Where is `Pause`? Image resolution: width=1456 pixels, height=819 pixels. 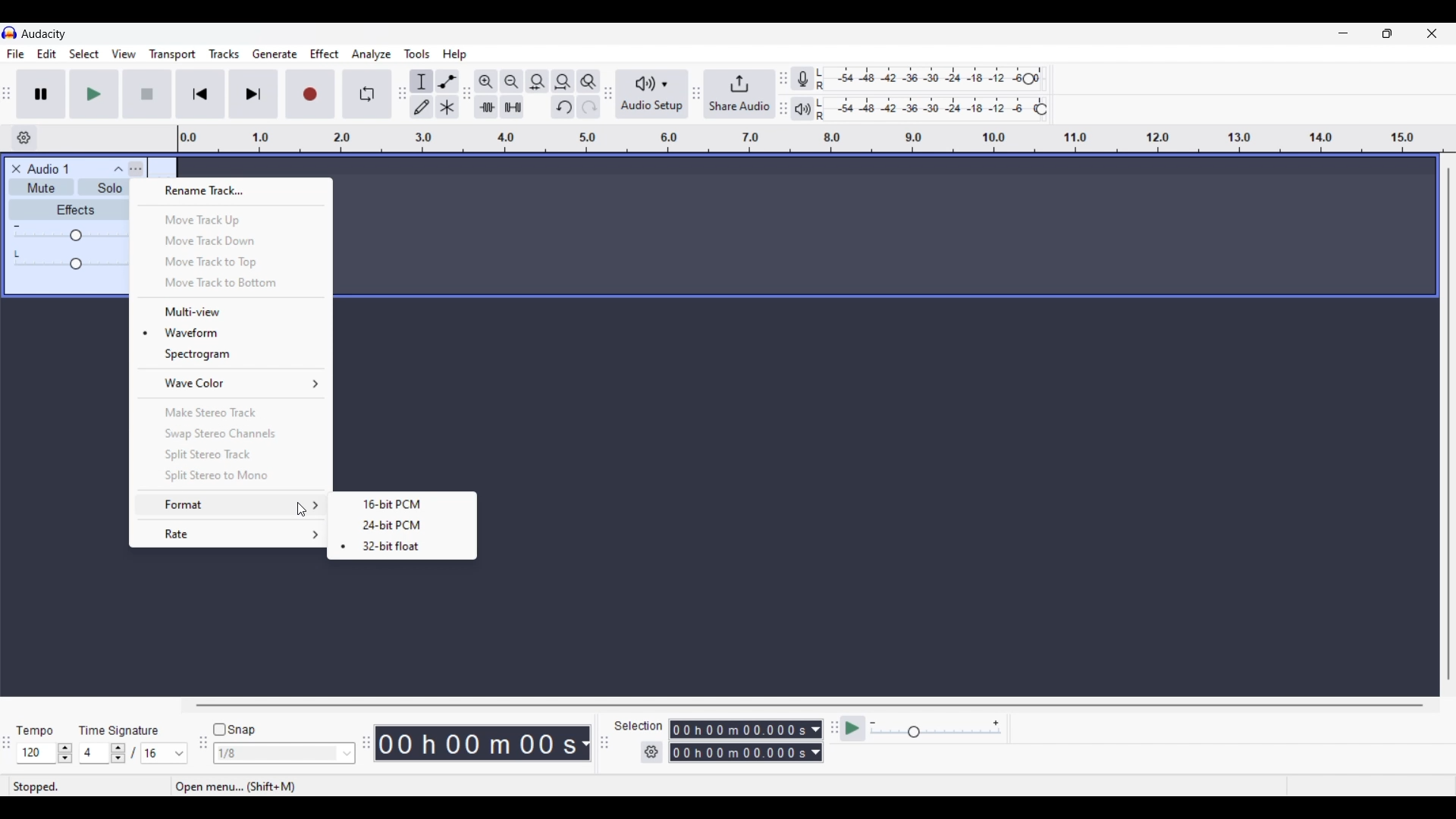 Pause is located at coordinates (41, 93).